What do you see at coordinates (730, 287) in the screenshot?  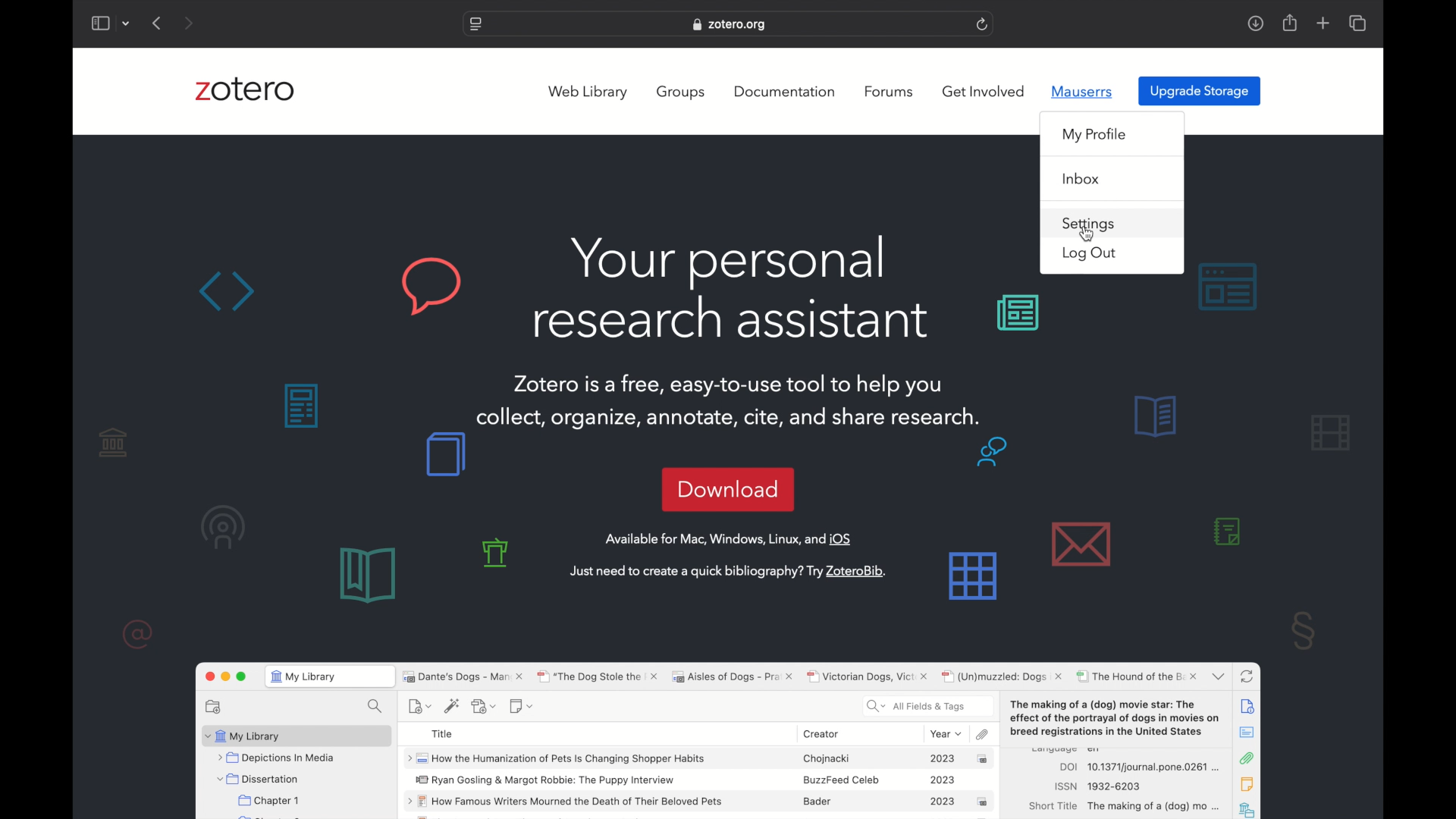 I see `You personal research assistant` at bounding box center [730, 287].